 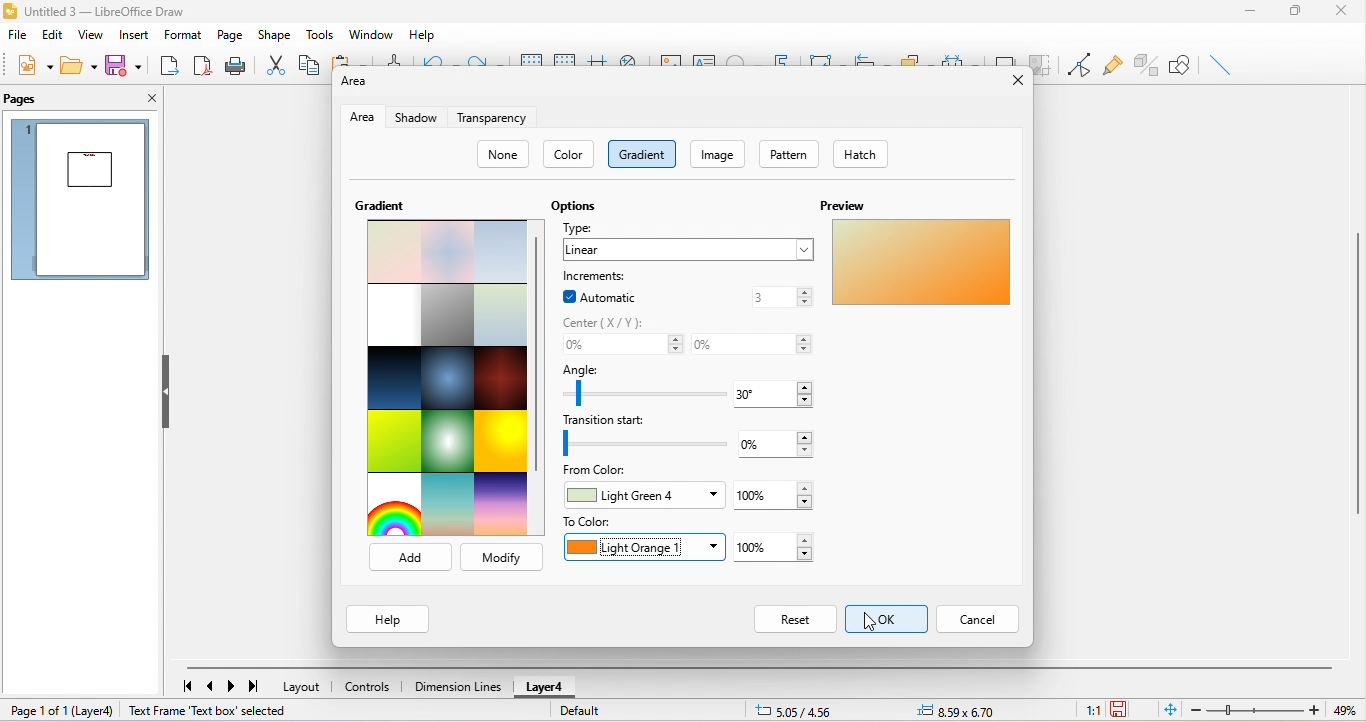 What do you see at coordinates (1084, 709) in the screenshot?
I see `1:1` at bounding box center [1084, 709].